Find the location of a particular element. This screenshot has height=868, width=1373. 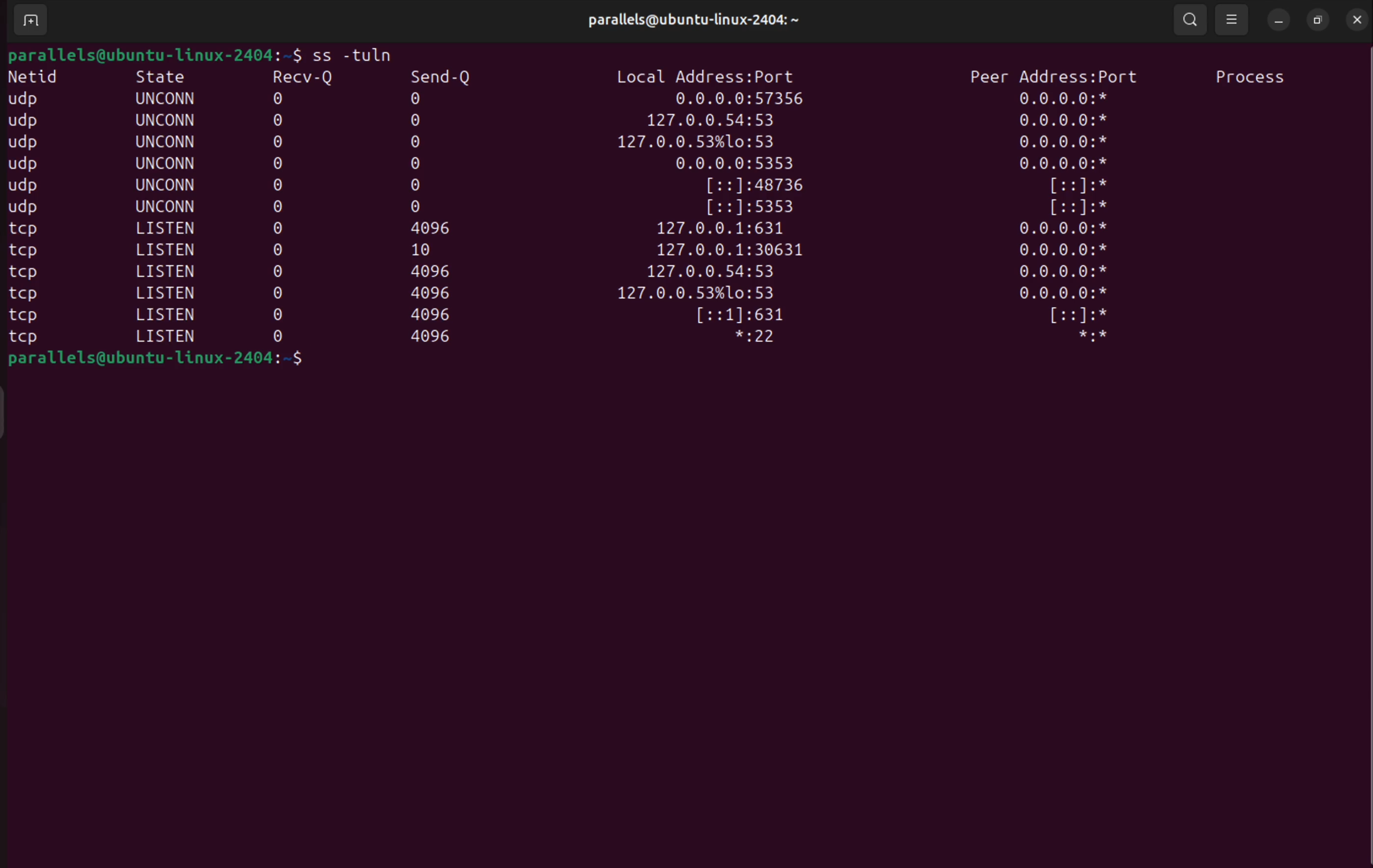

4096 is located at coordinates (432, 227).